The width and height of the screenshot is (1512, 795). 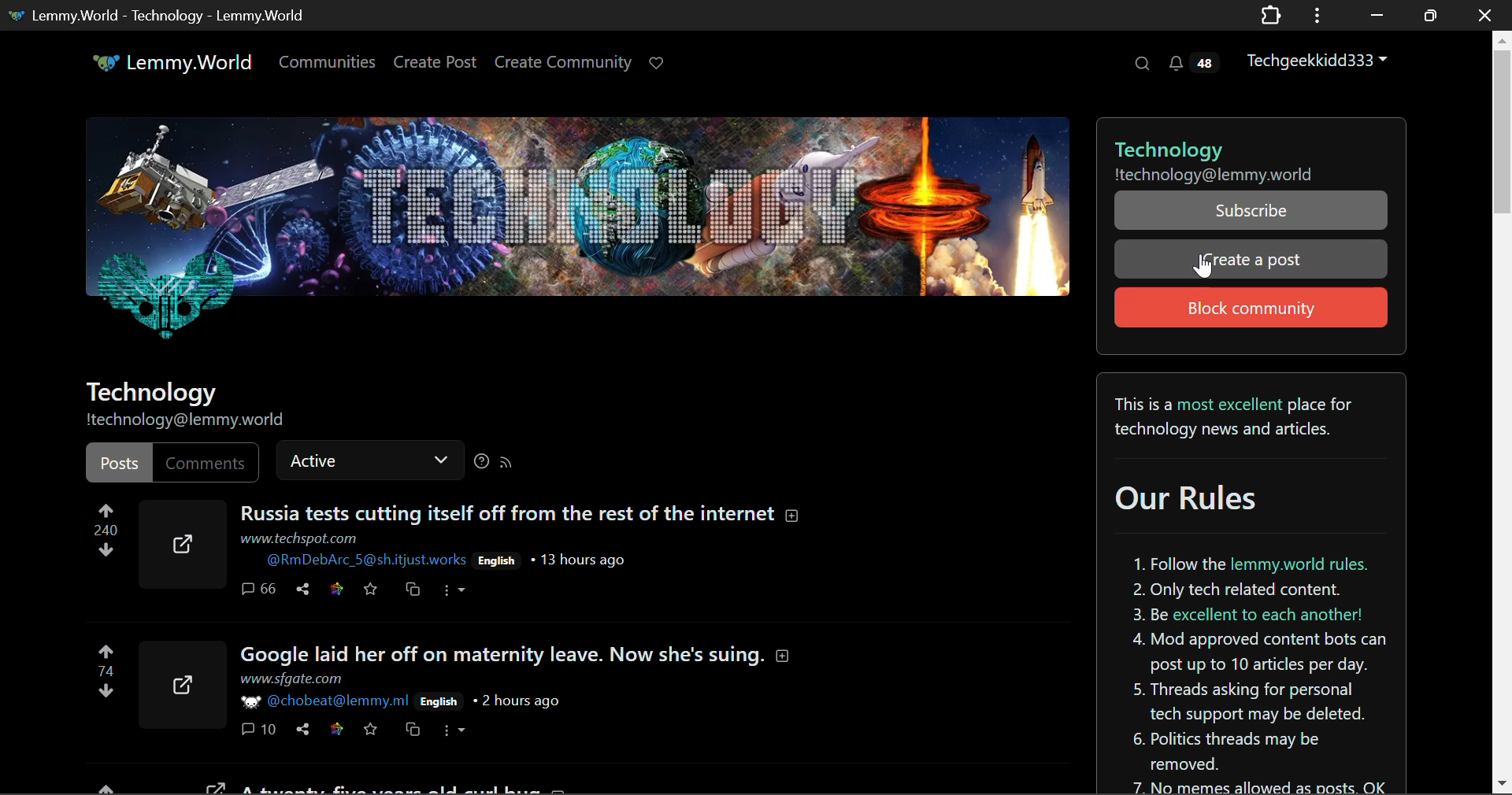 What do you see at coordinates (180, 542) in the screenshot?
I see `External Link Icon` at bounding box center [180, 542].